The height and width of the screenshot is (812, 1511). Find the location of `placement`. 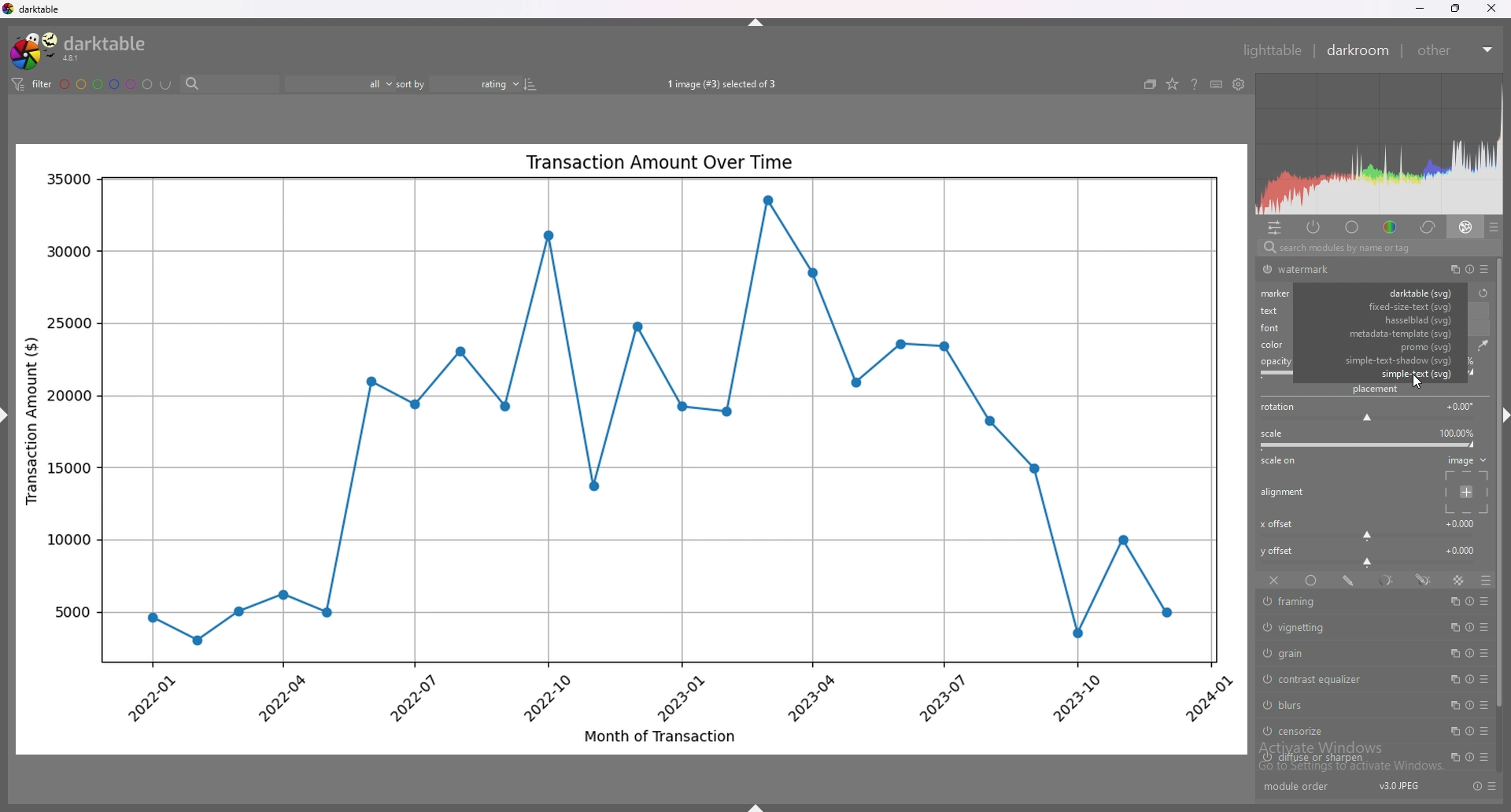

placement is located at coordinates (1469, 493).